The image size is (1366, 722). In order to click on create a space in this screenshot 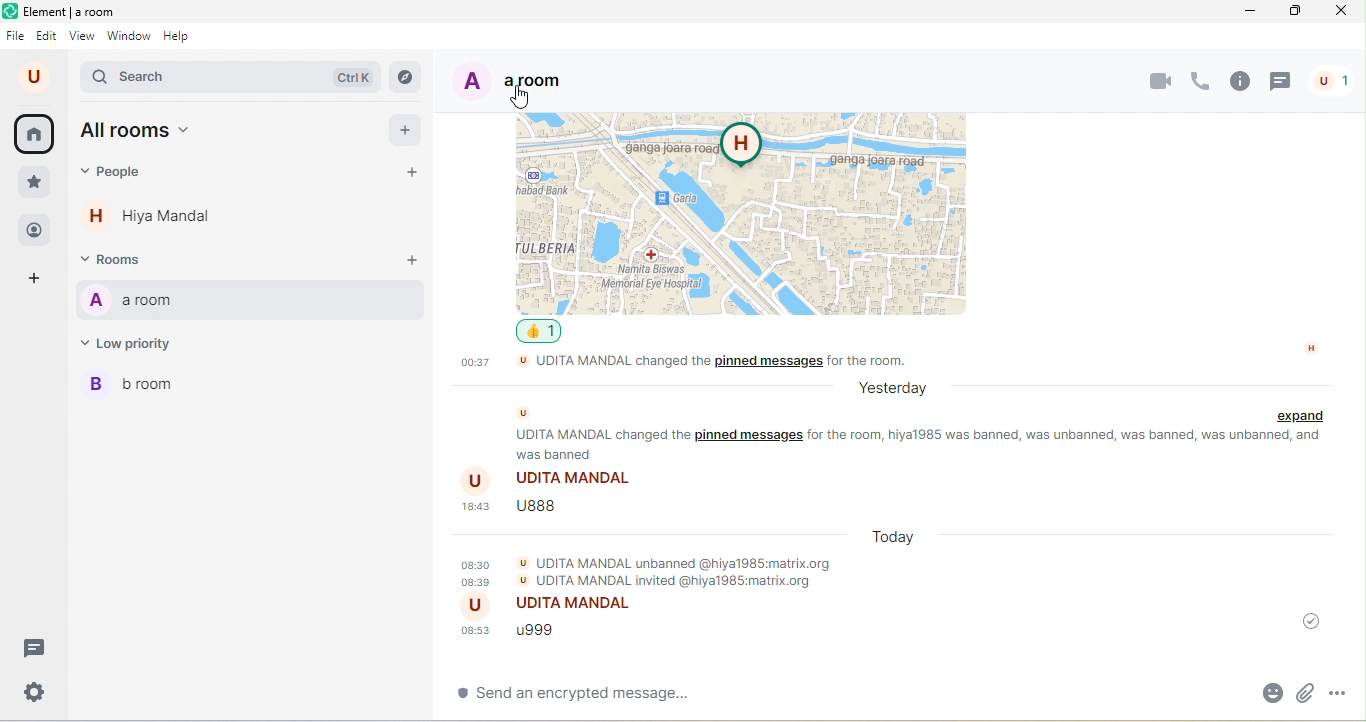, I will do `click(42, 280)`.